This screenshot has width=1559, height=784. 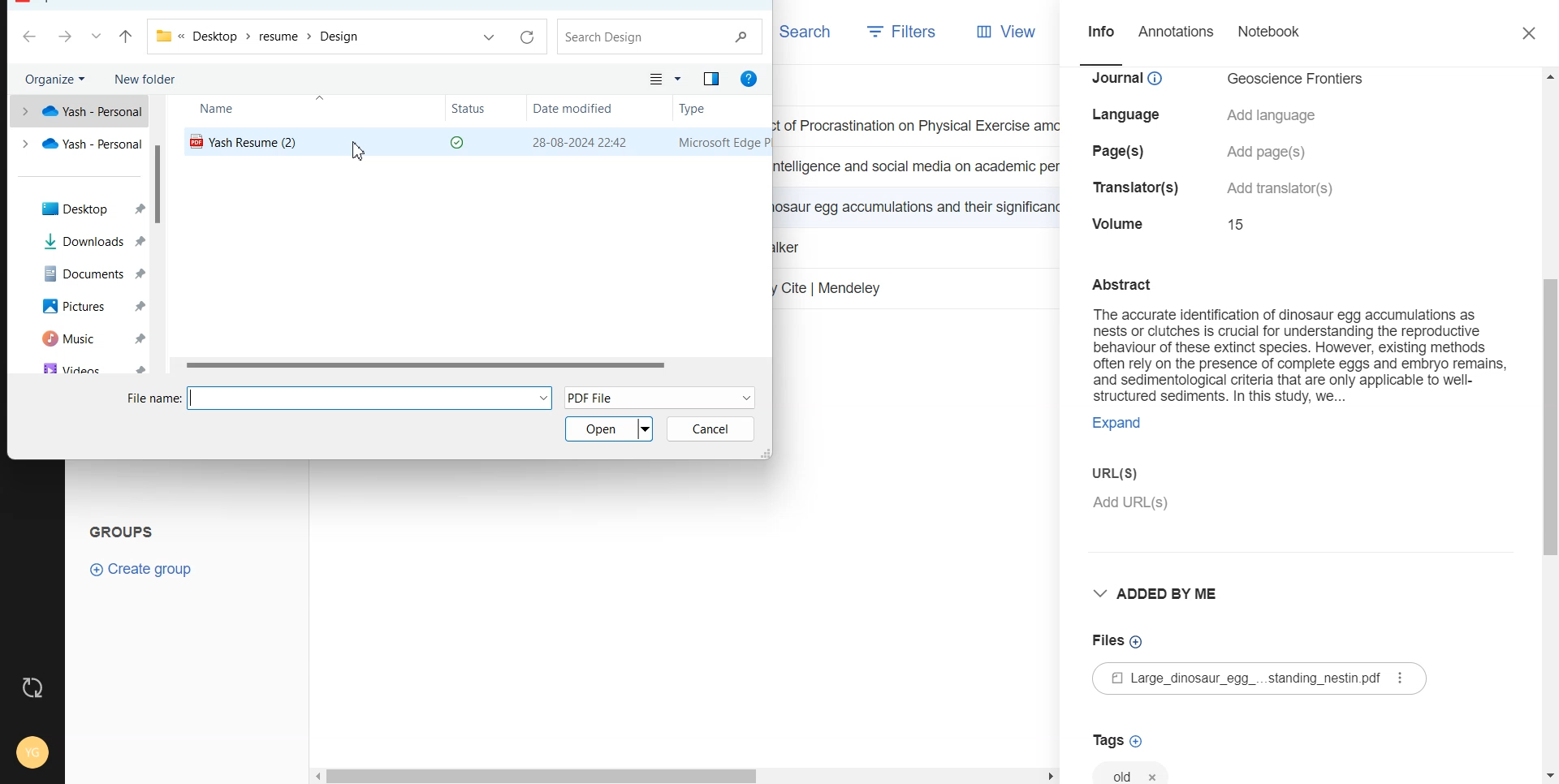 What do you see at coordinates (1235, 679) in the screenshot?
I see `File` at bounding box center [1235, 679].